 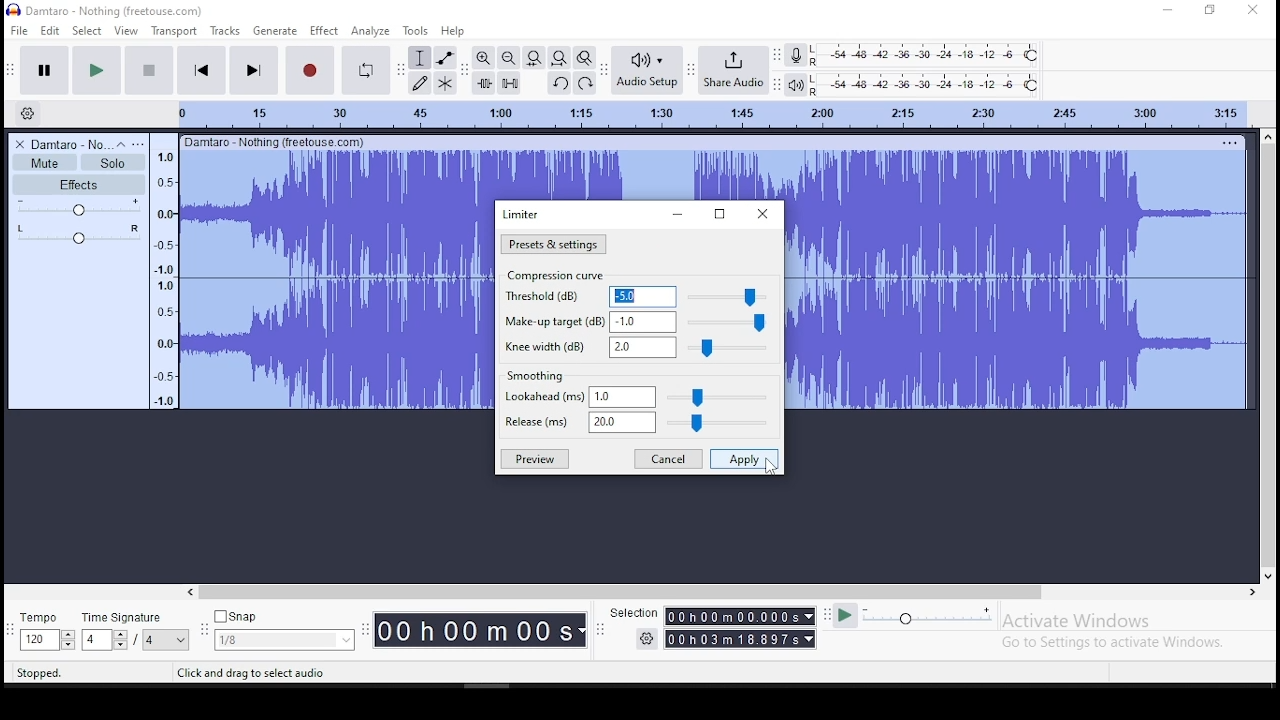 What do you see at coordinates (645, 70) in the screenshot?
I see `audio setup` at bounding box center [645, 70].